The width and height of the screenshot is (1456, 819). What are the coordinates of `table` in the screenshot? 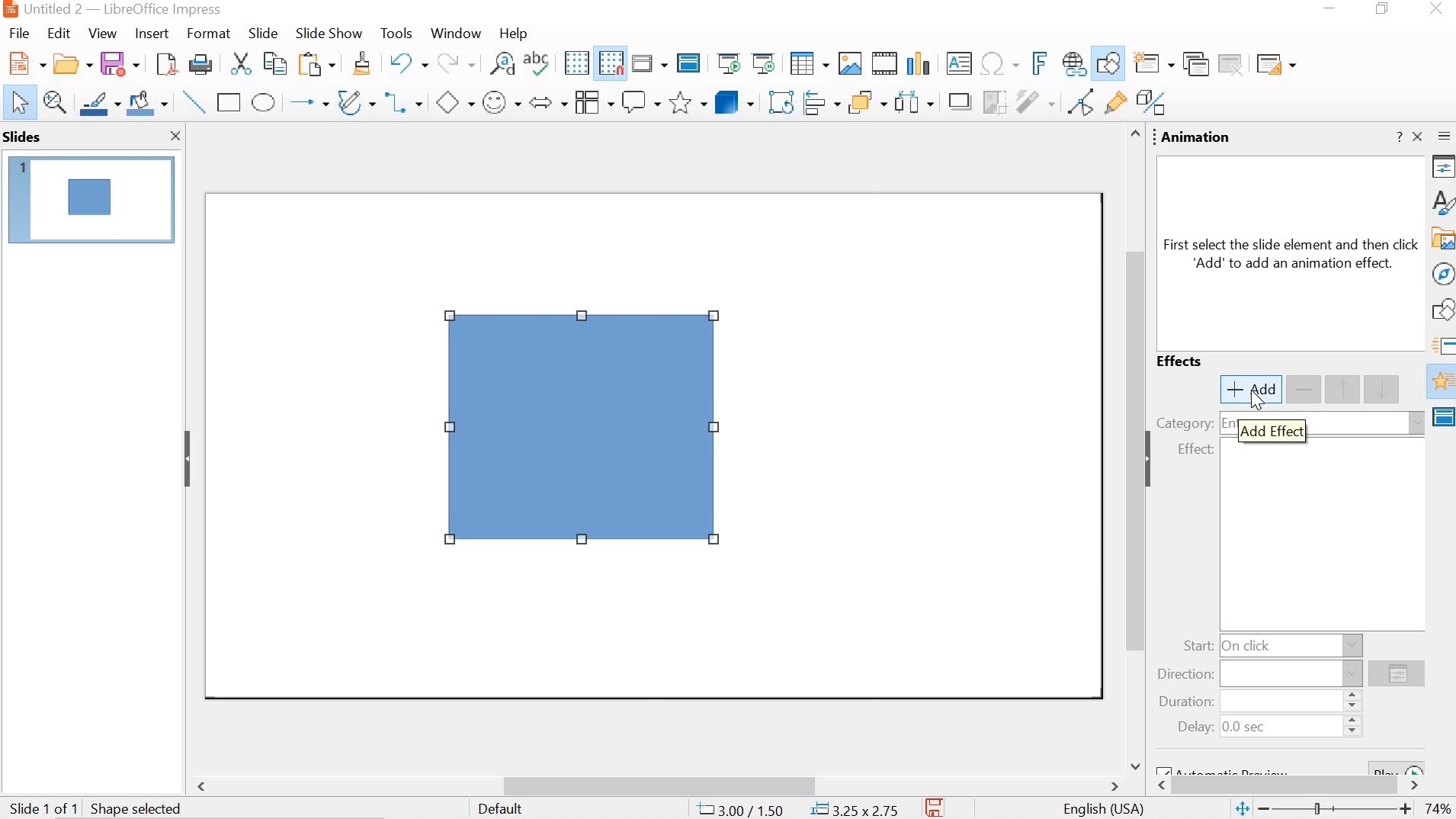 It's located at (809, 62).